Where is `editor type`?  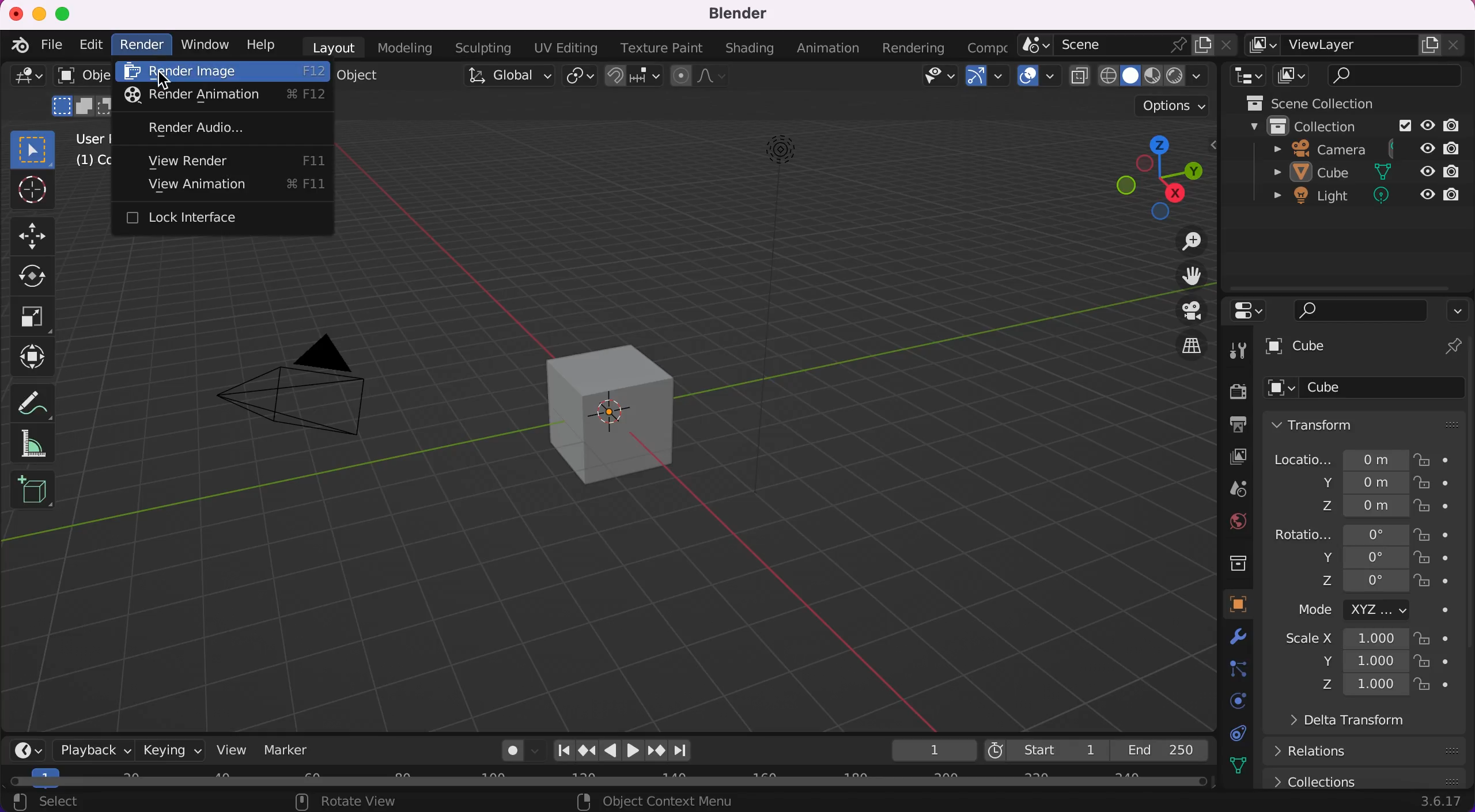
editor type is located at coordinates (21, 749).